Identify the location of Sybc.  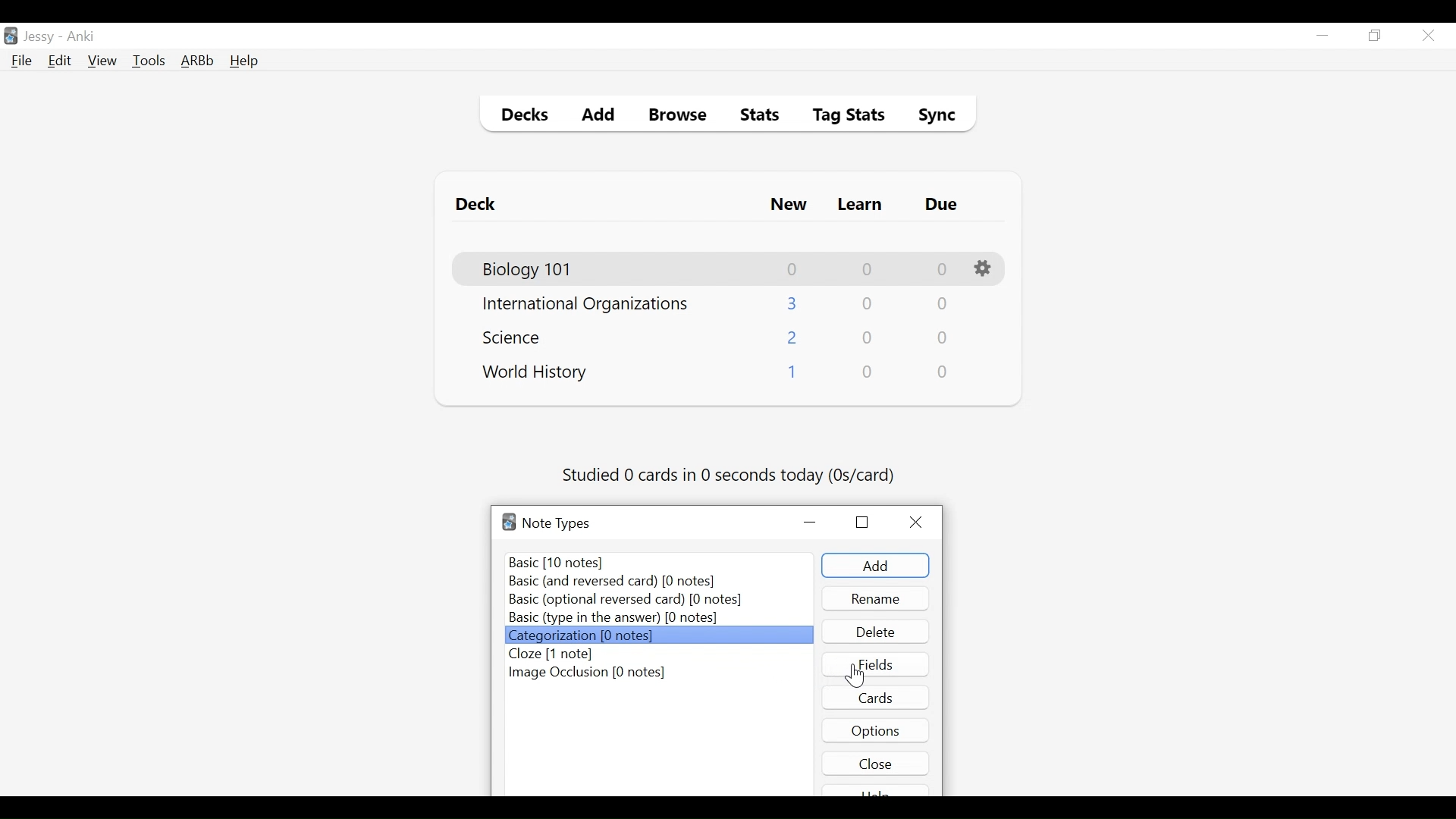
(931, 117).